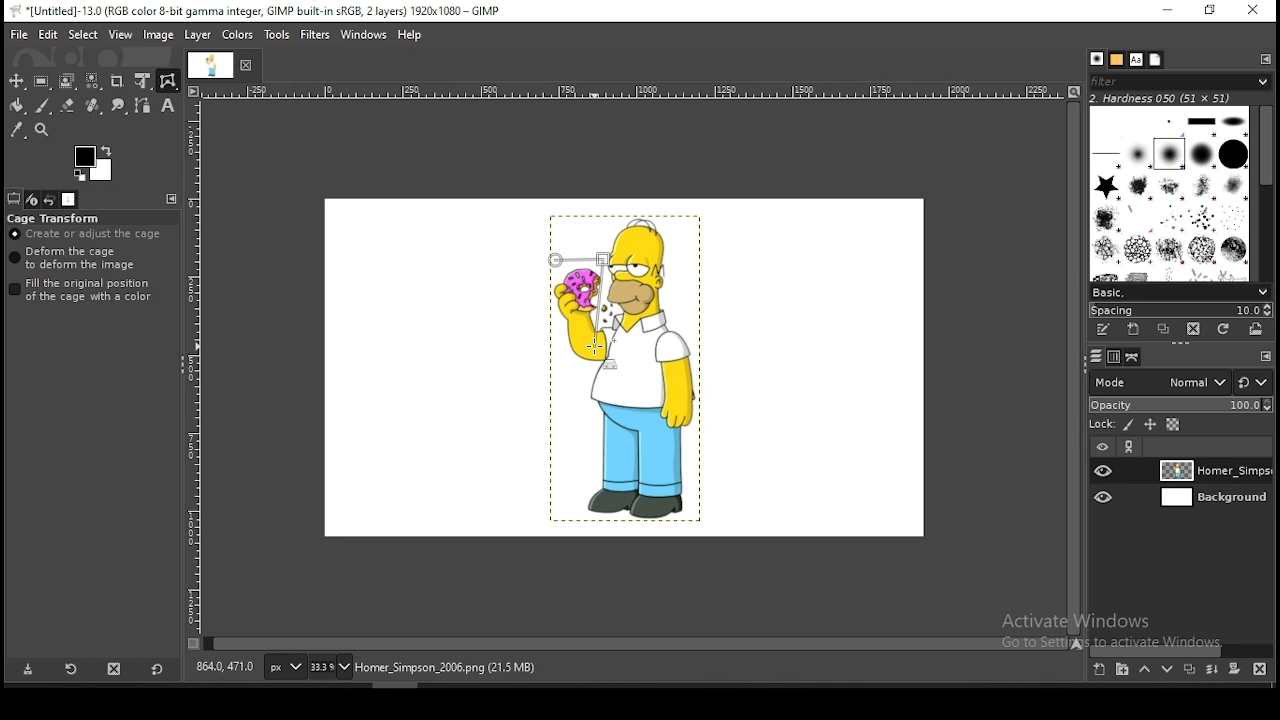 Image resolution: width=1280 pixels, height=720 pixels. I want to click on layer, so click(1213, 471).